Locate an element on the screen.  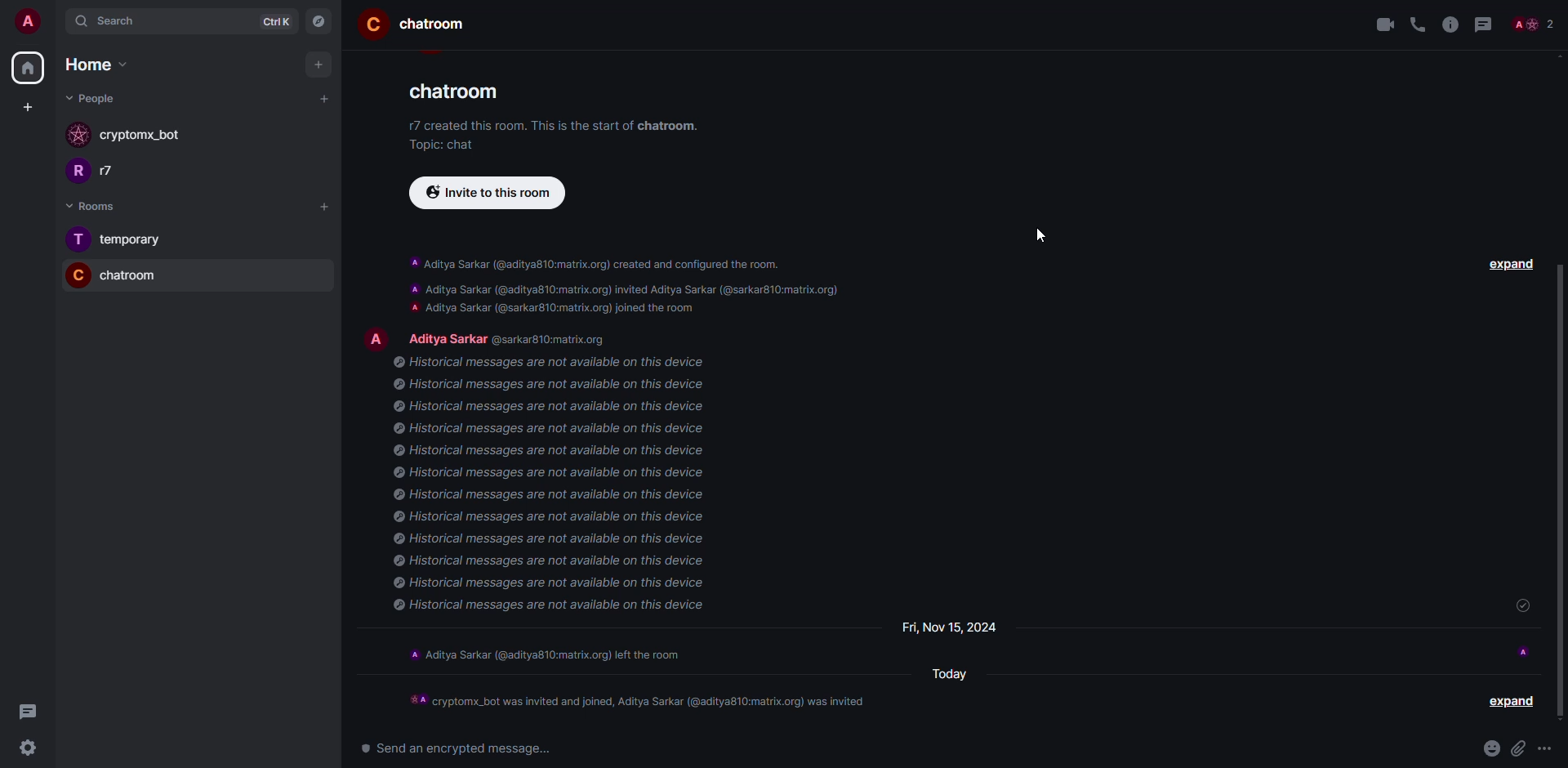
people is located at coordinates (93, 98).